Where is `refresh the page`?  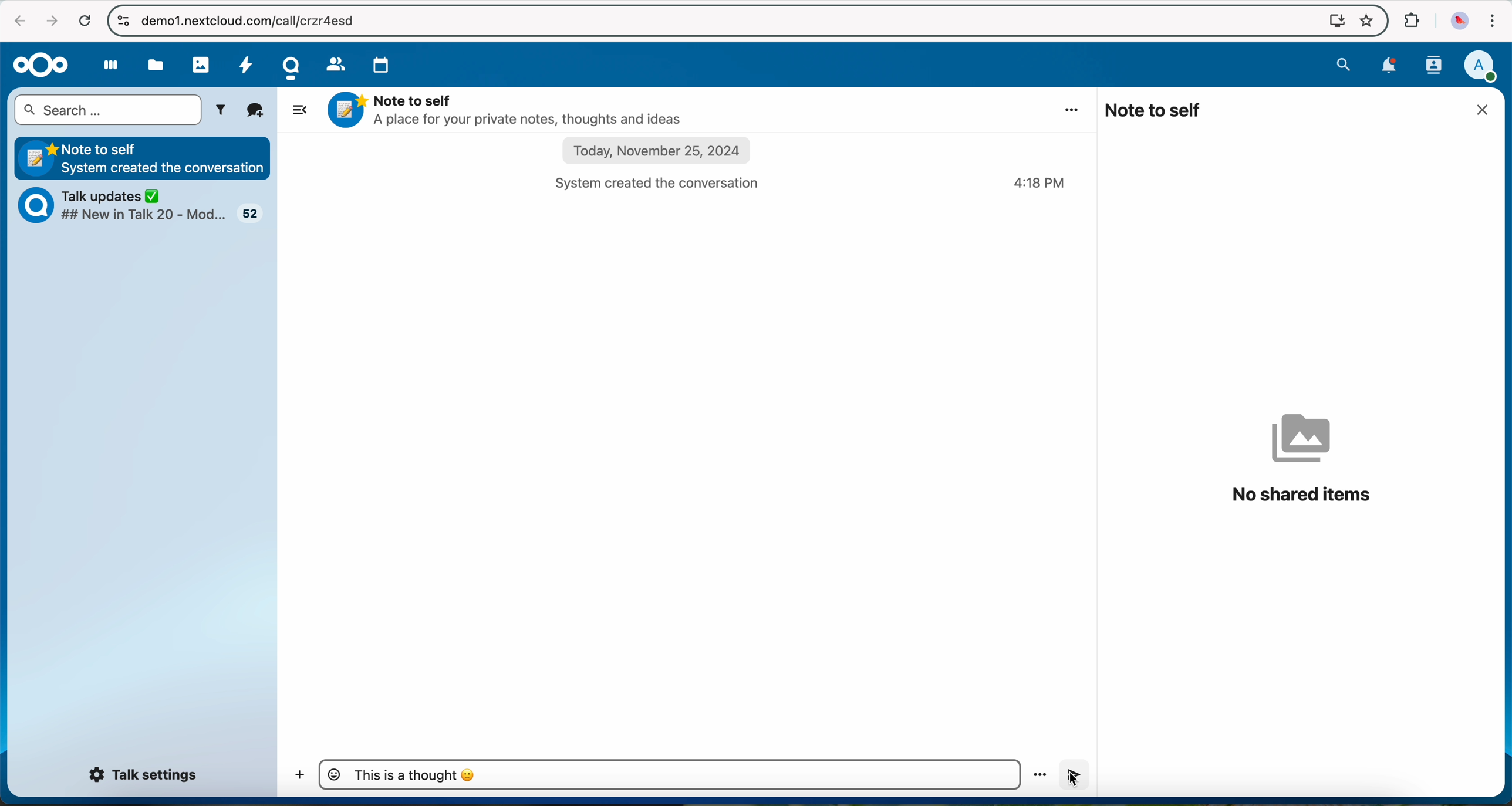 refresh the page is located at coordinates (84, 20).